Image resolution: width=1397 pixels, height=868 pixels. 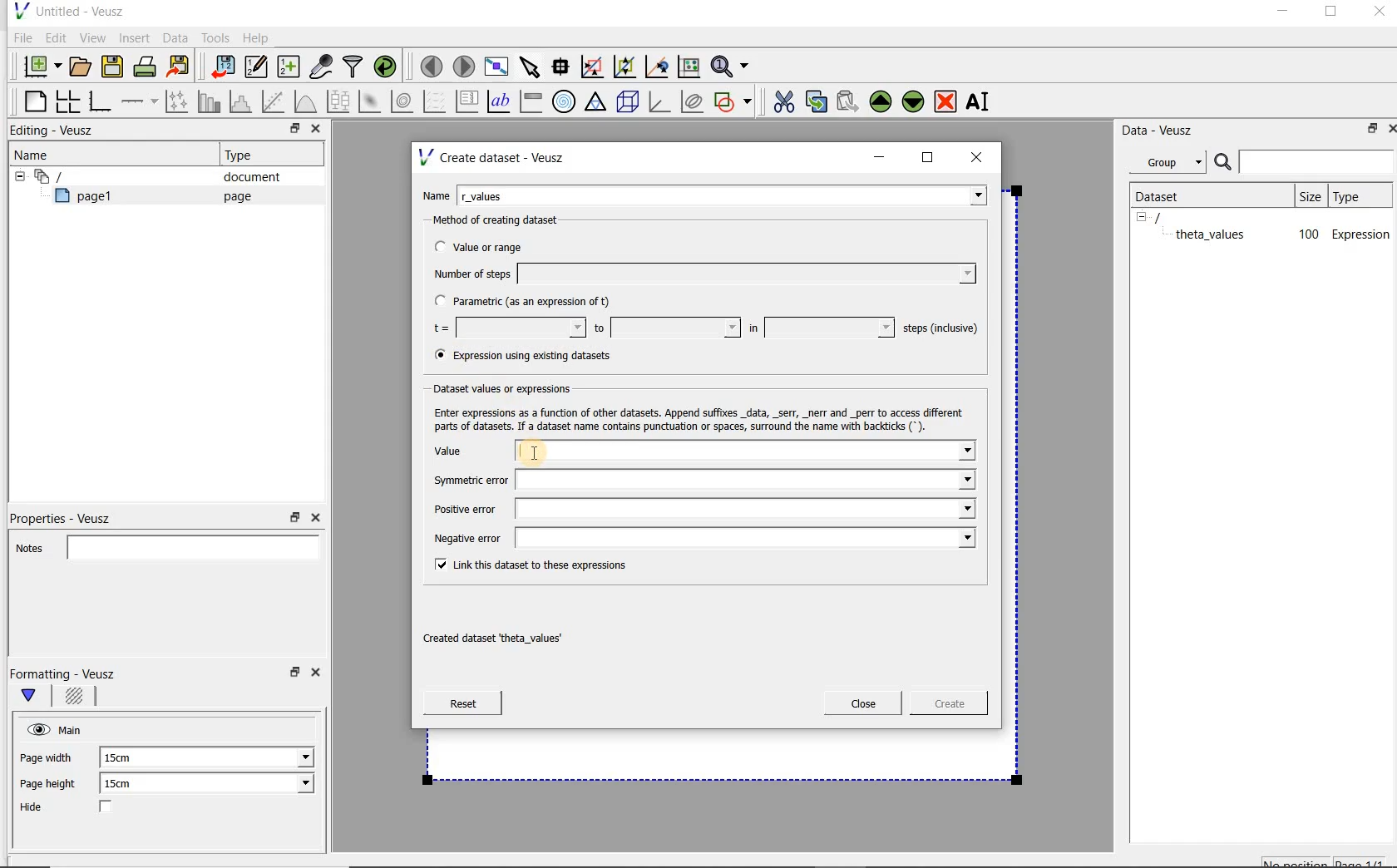 What do you see at coordinates (436, 194) in the screenshot?
I see `Name` at bounding box center [436, 194].